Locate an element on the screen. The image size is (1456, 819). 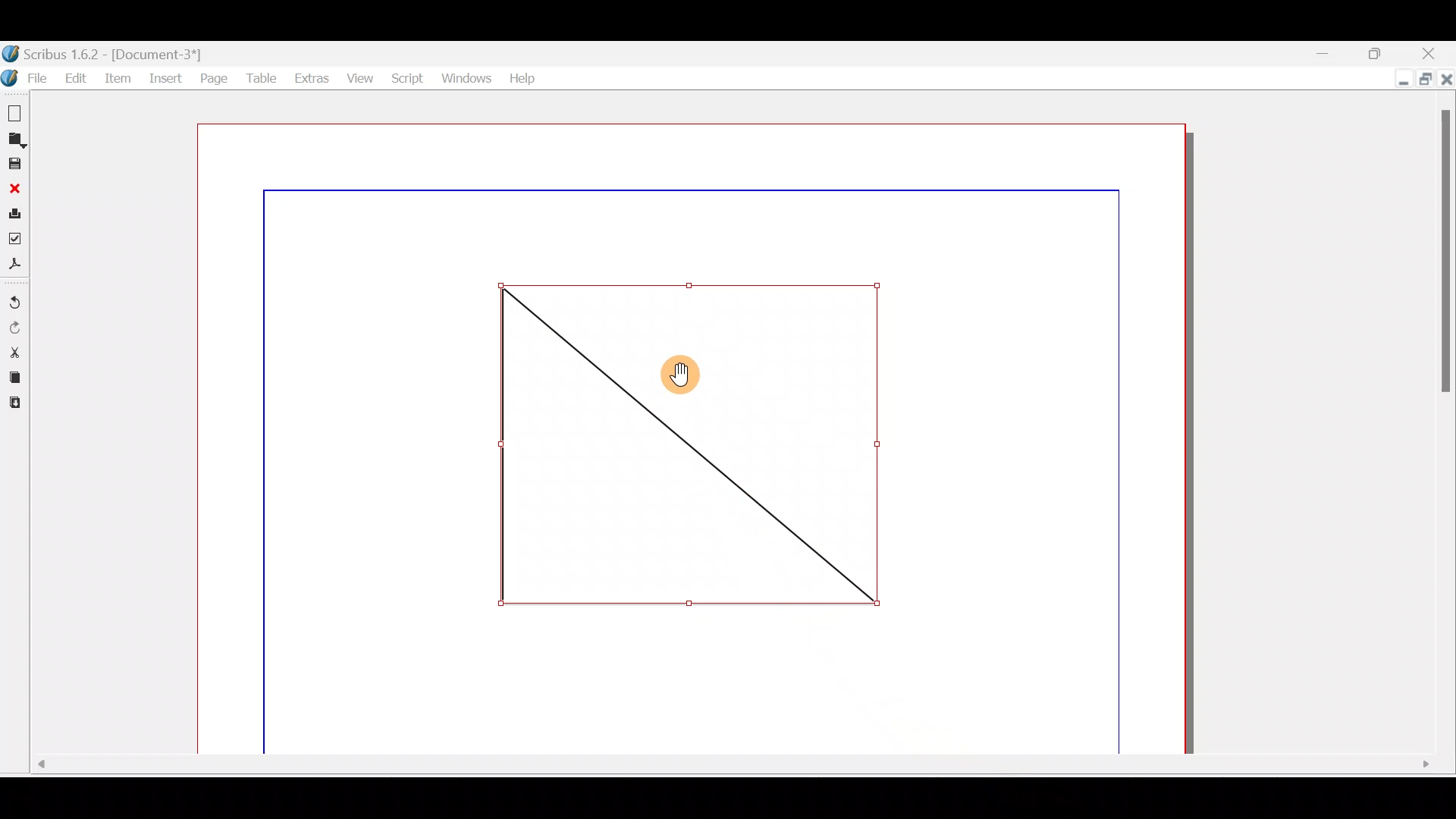
Cut is located at coordinates (14, 351).